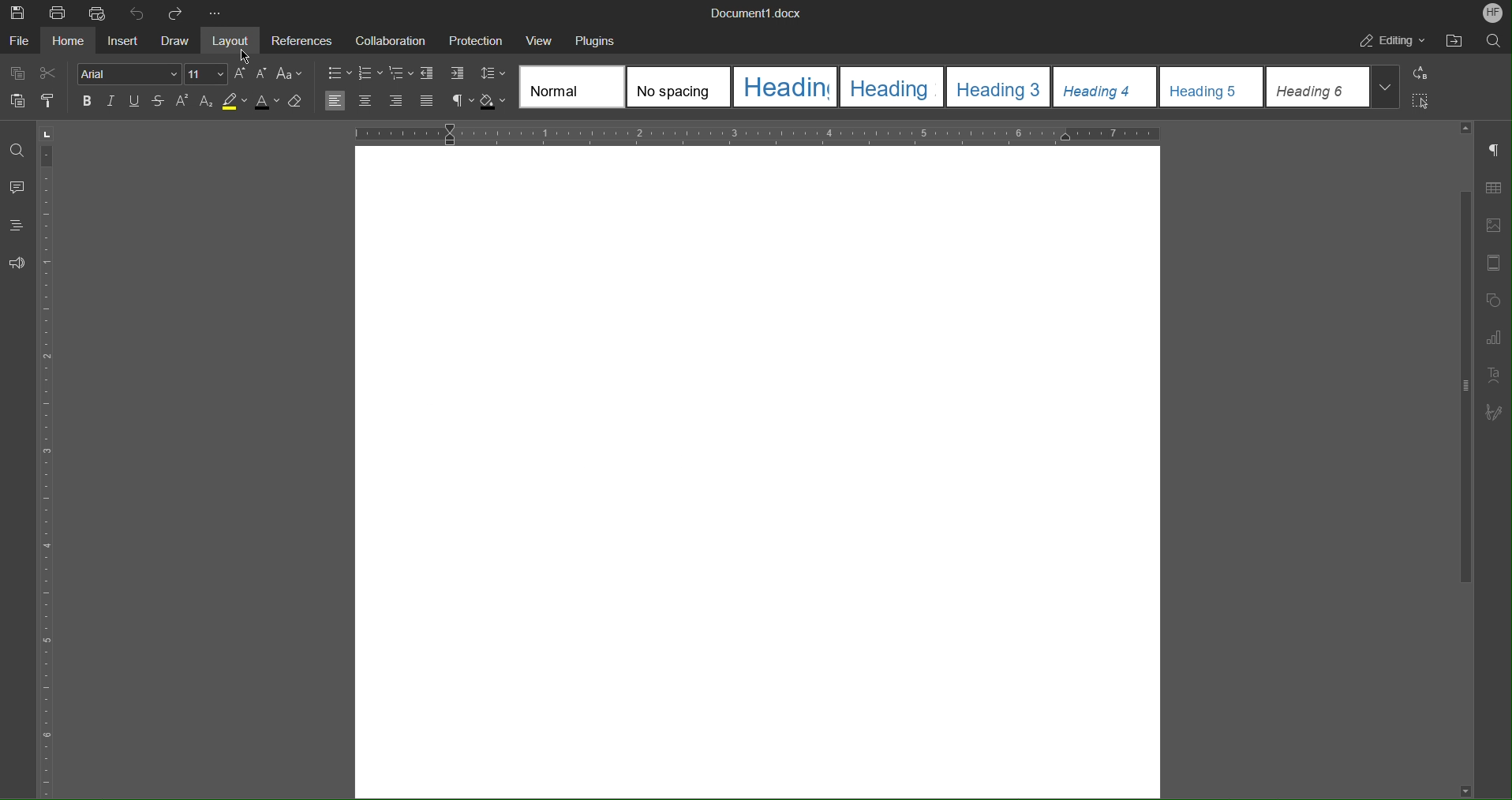 The width and height of the screenshot is (1512, 800). What do you see at coordinates (679, 87) in the screenshot?
I see `No Spacing` at bounding box center [679, 87].